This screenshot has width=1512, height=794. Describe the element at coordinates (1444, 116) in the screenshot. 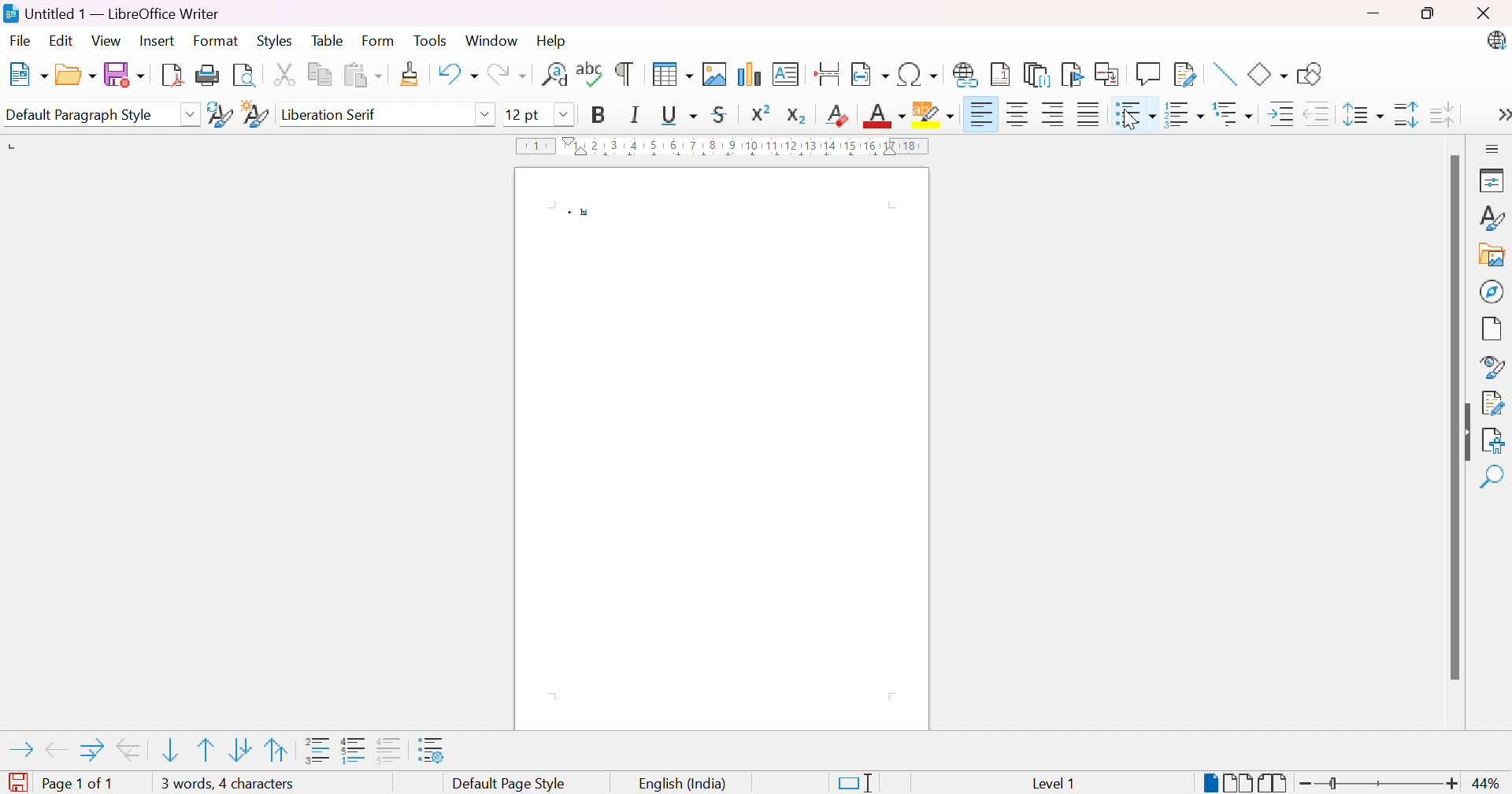

I see `Decrease paragraph spacing` at that location.